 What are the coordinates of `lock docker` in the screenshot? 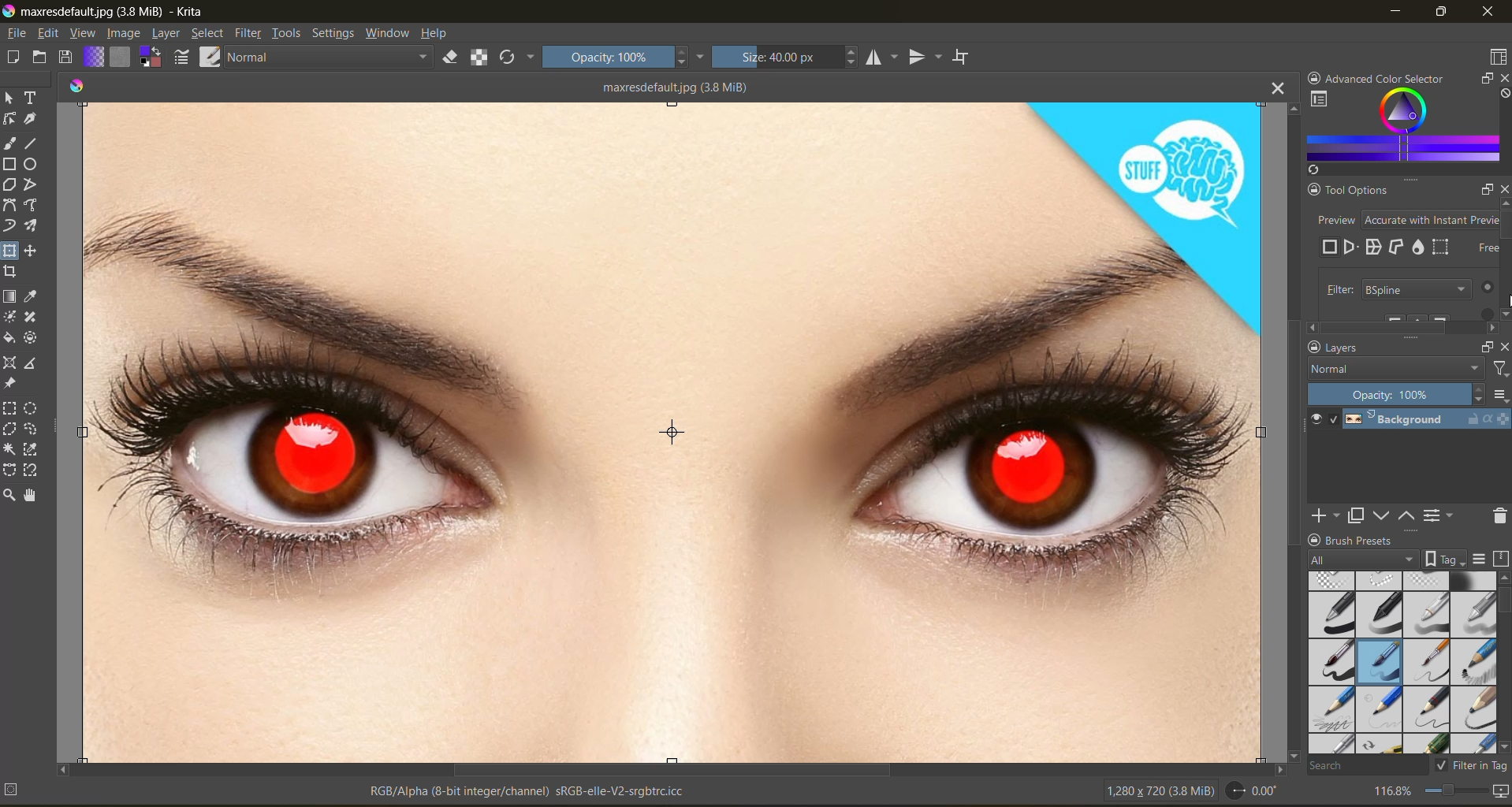 It's located at (1313, 190).